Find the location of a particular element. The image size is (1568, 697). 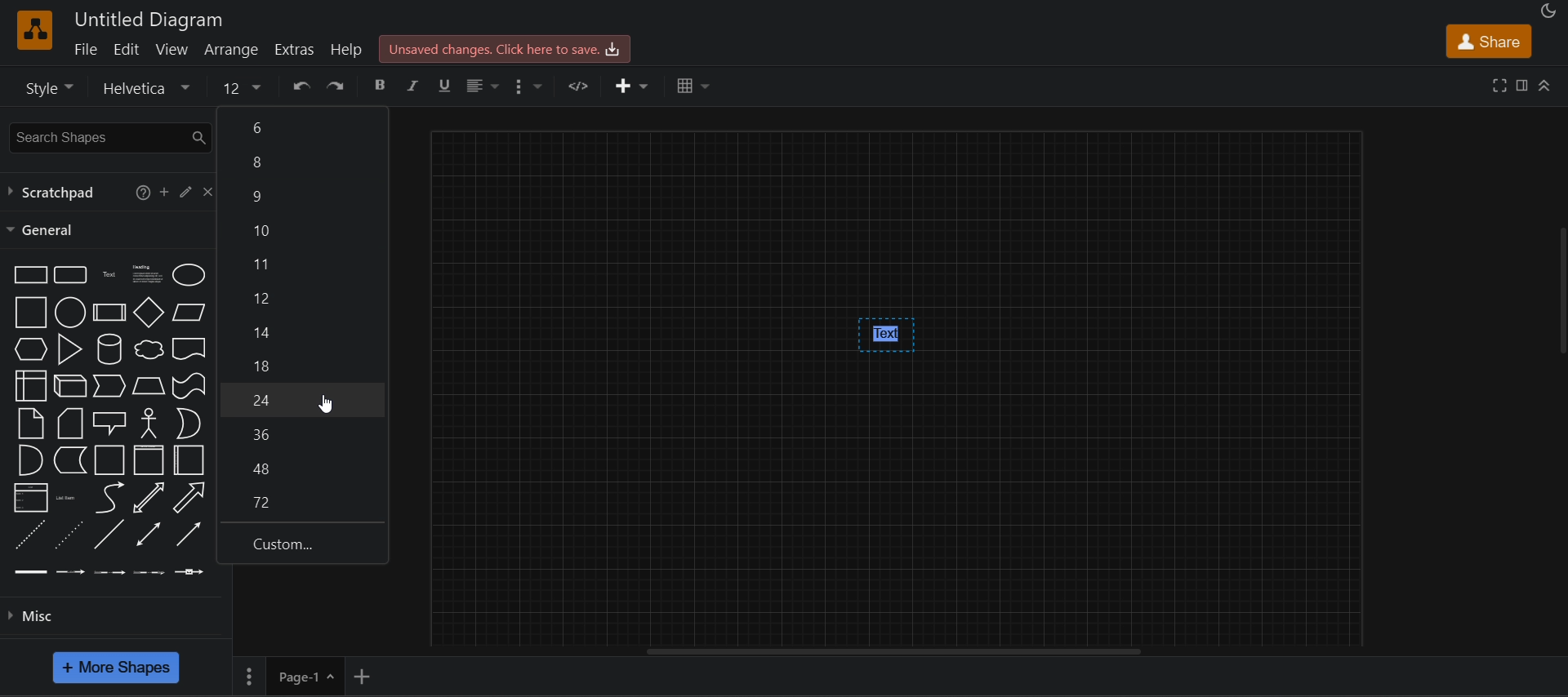

add is located at coordinates (164, 191).